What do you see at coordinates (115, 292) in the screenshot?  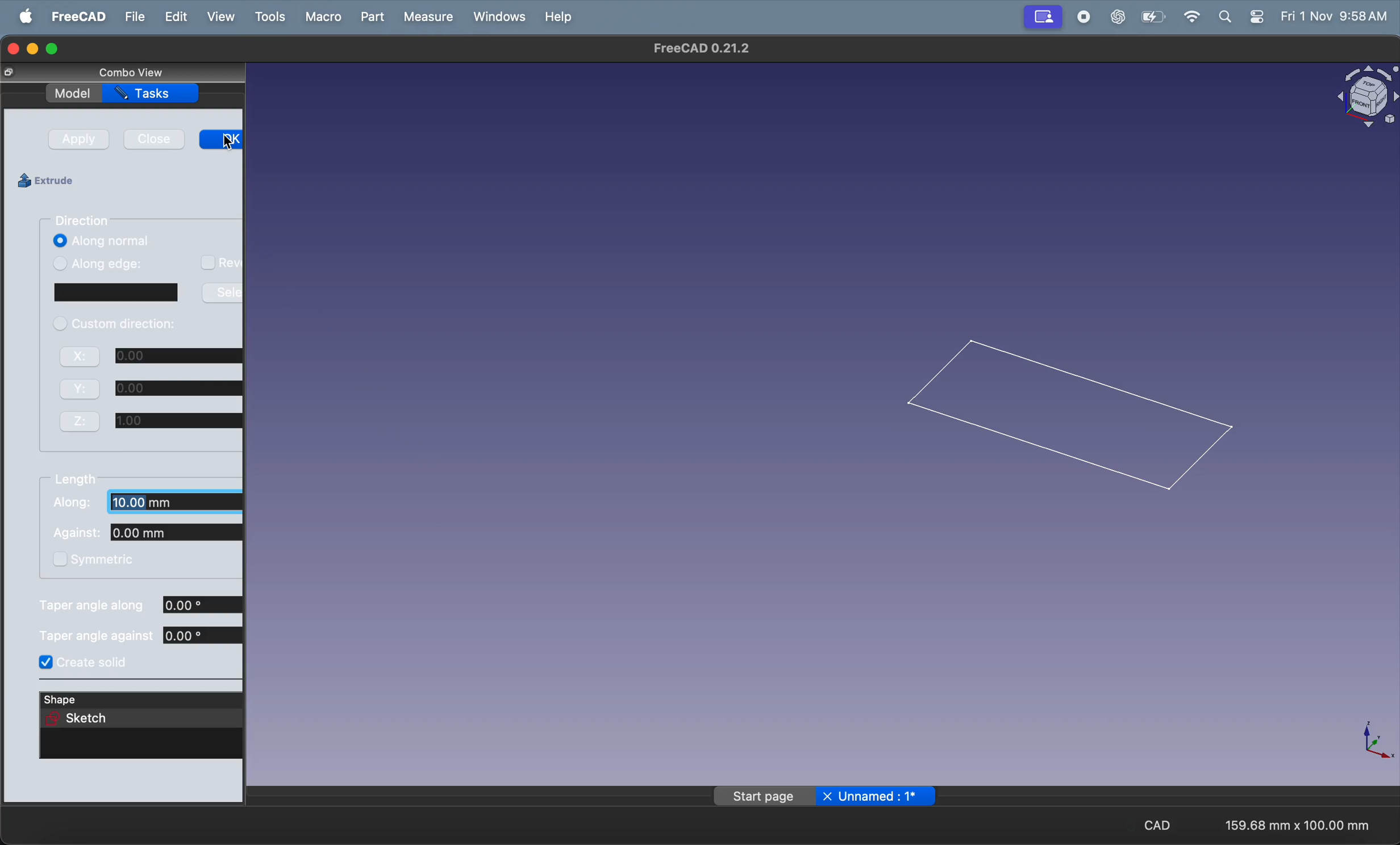 I see `sketch` at bounding box center [115, 292].